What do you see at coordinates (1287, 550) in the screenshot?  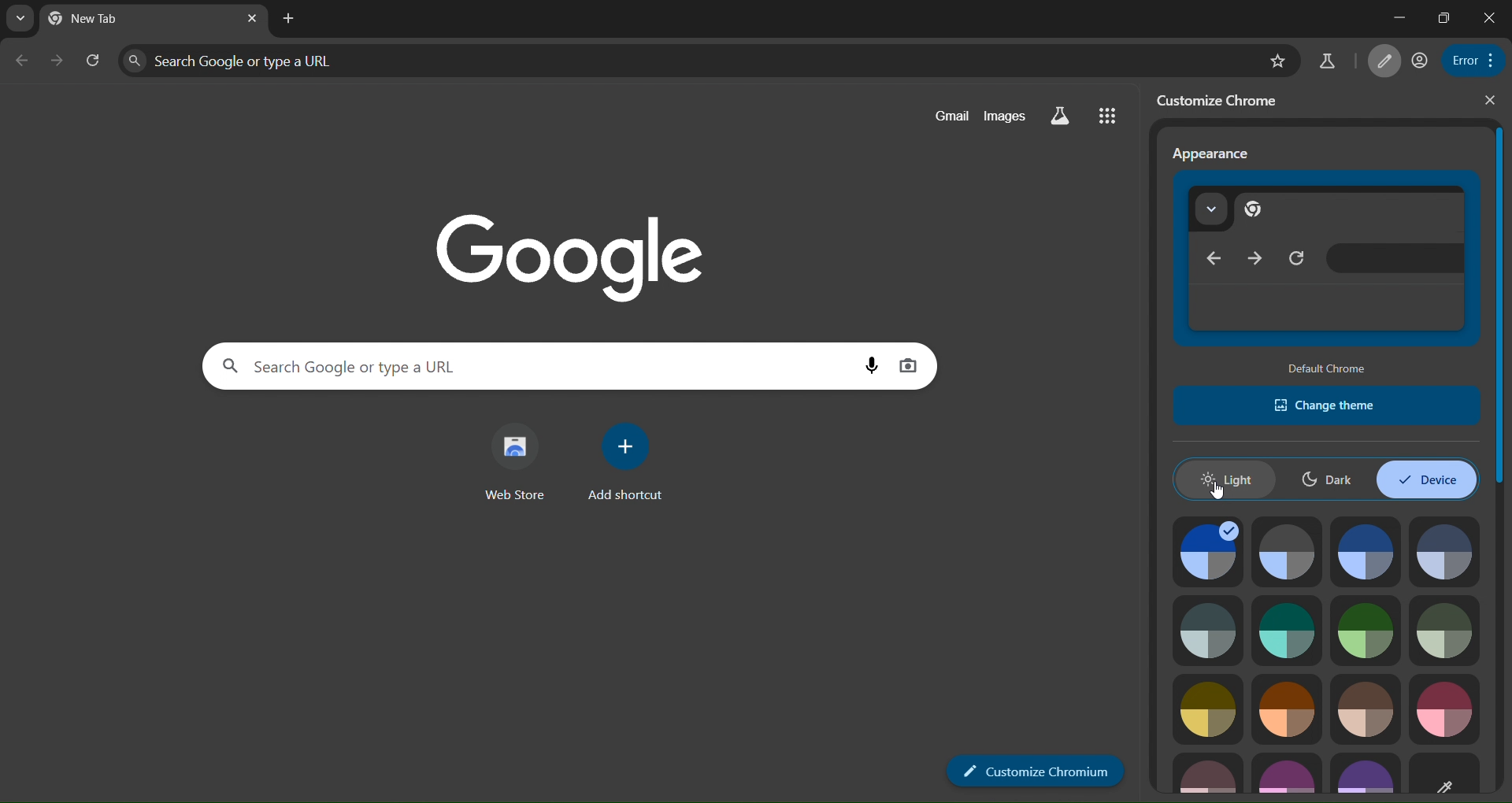 I see `image` at bounding box center [1287, 550].